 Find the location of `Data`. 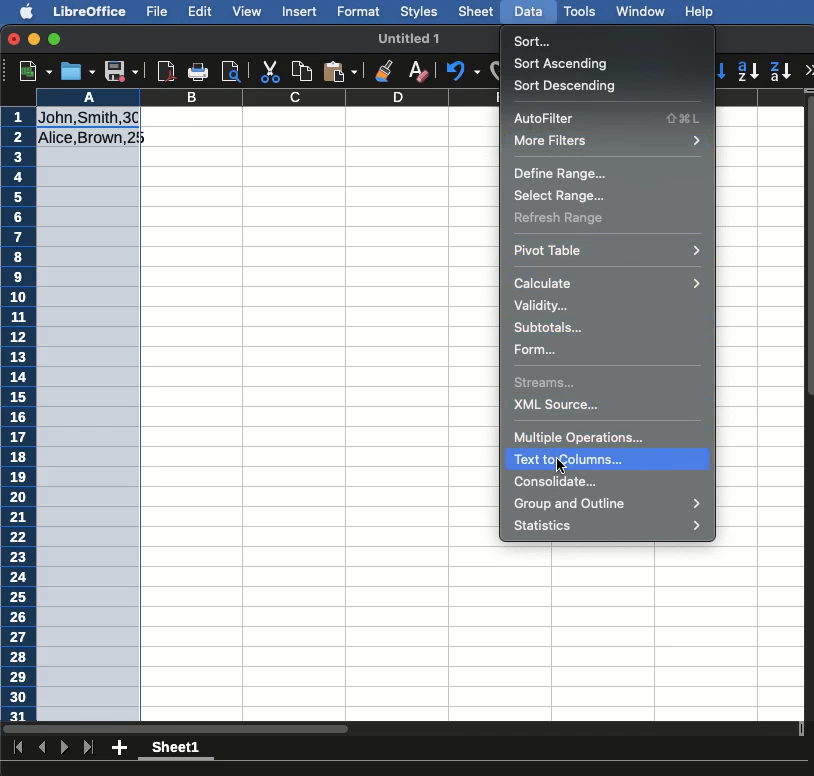

Data is located at coordinates (530, 11).